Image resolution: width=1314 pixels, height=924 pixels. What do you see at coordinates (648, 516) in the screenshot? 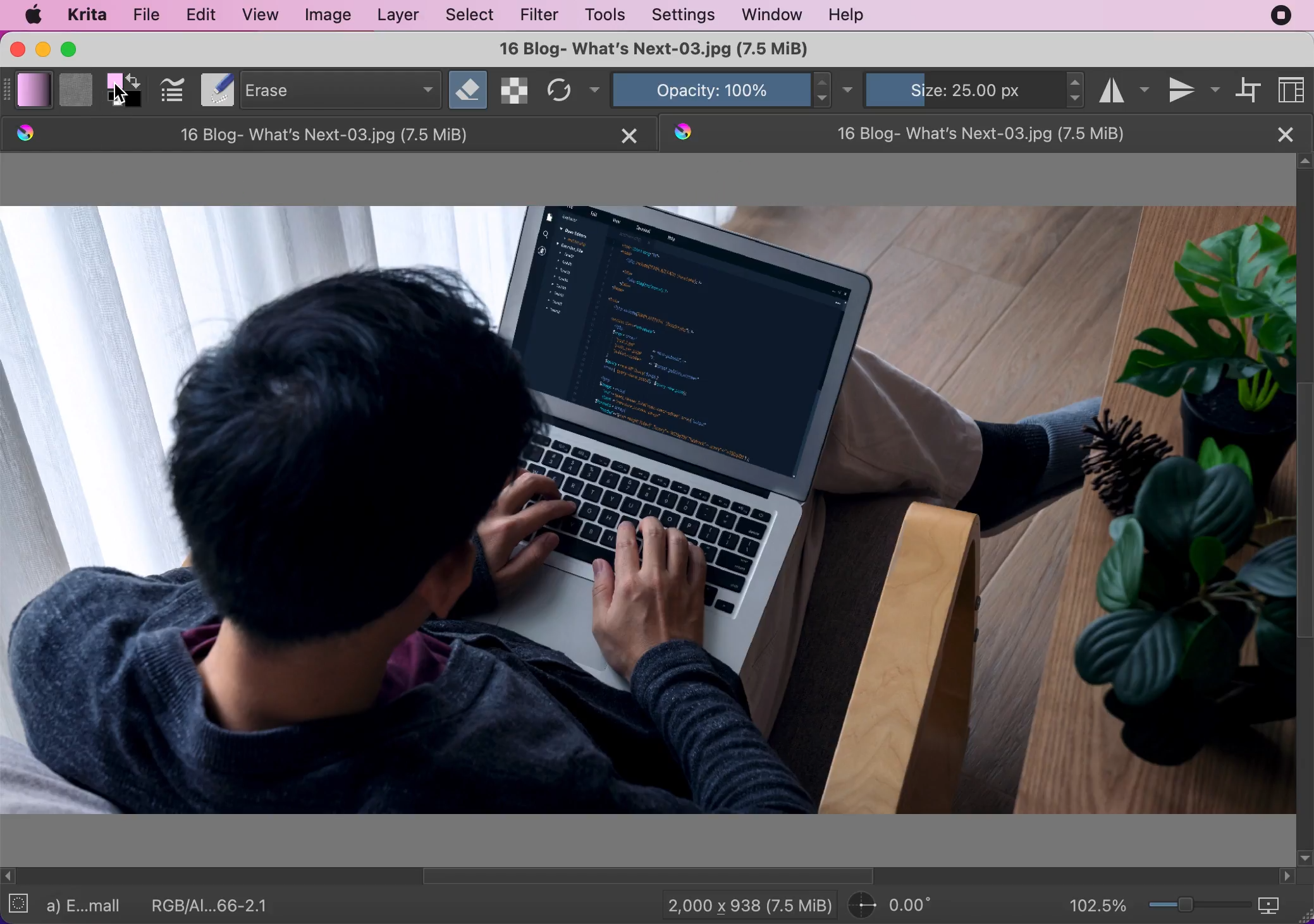
I see `image` at bounding box center [648, 516].